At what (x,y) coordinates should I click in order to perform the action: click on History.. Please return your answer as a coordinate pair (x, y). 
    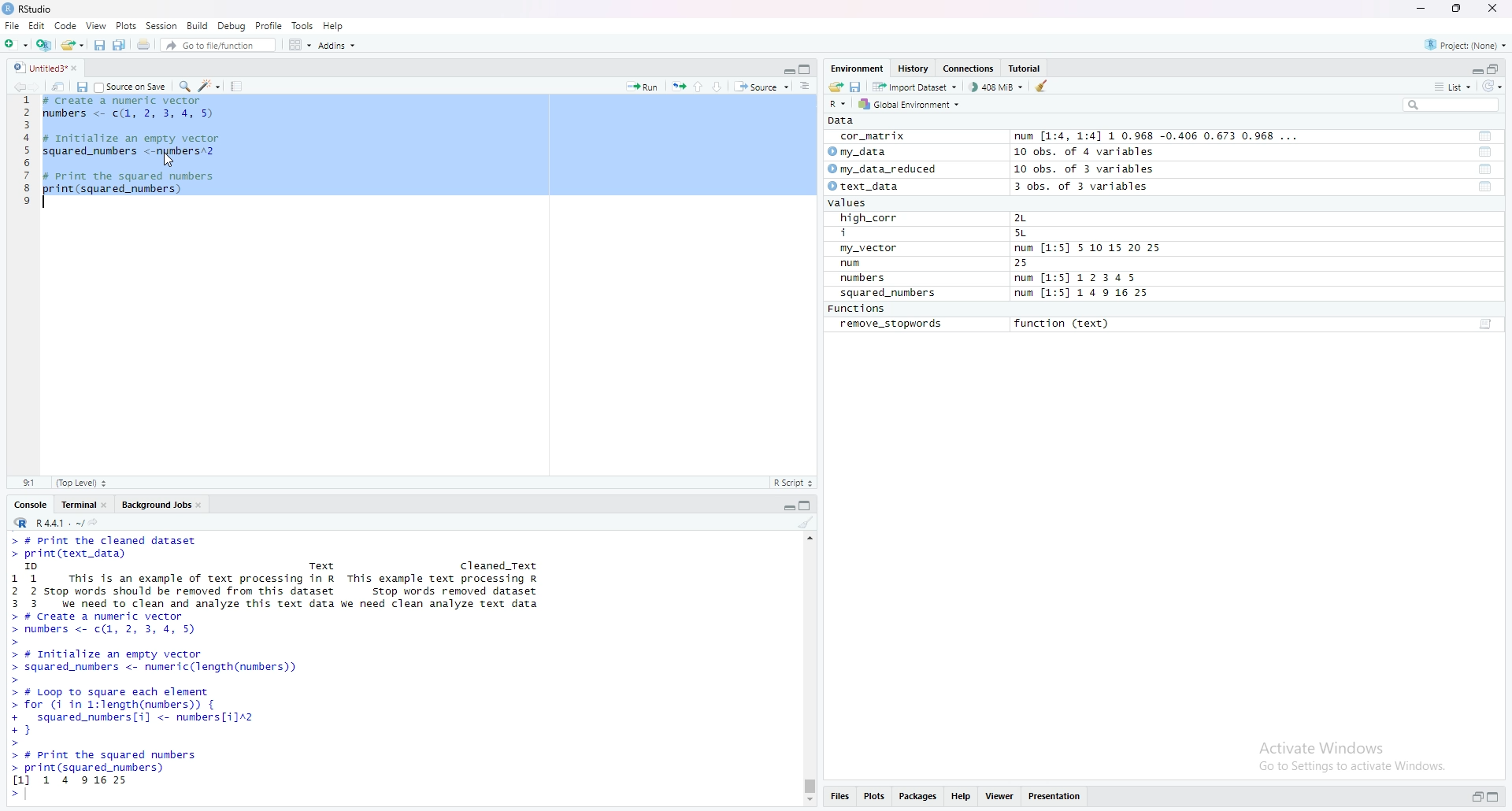
    Looking at the image, I should click on (915, 68).